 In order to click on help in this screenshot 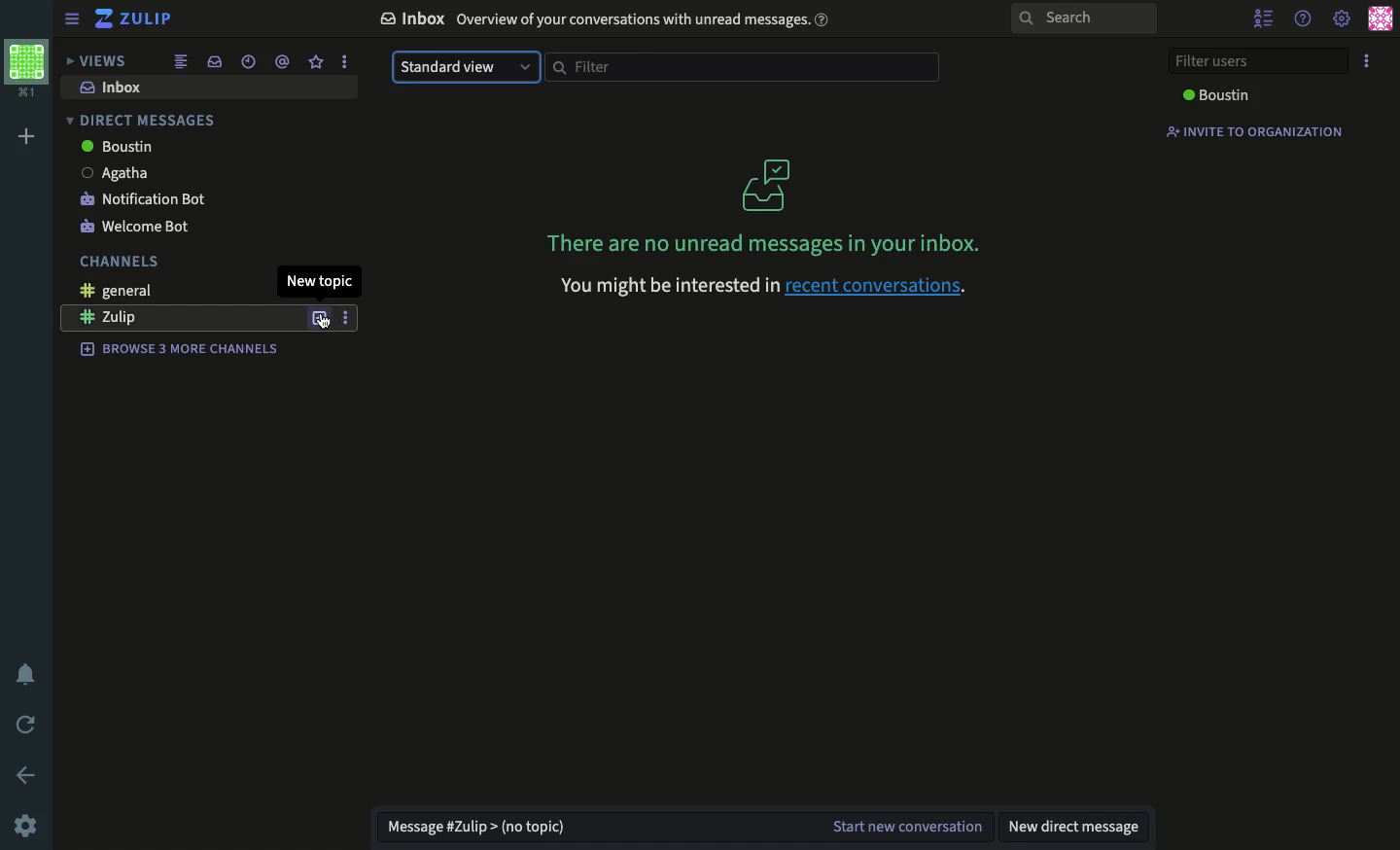, I will do `click(1302, 19)`.